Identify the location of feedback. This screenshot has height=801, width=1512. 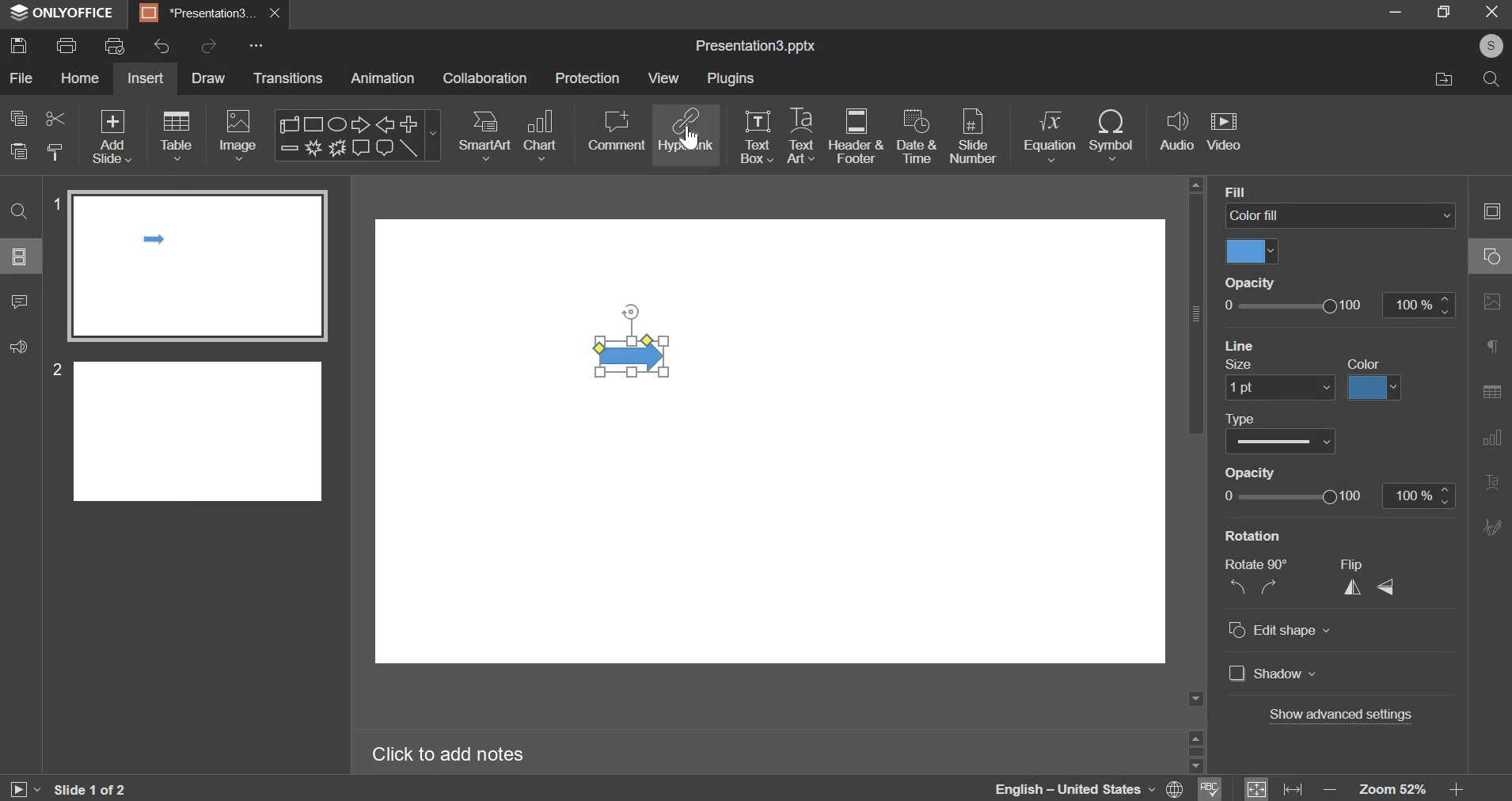
(19, 347).